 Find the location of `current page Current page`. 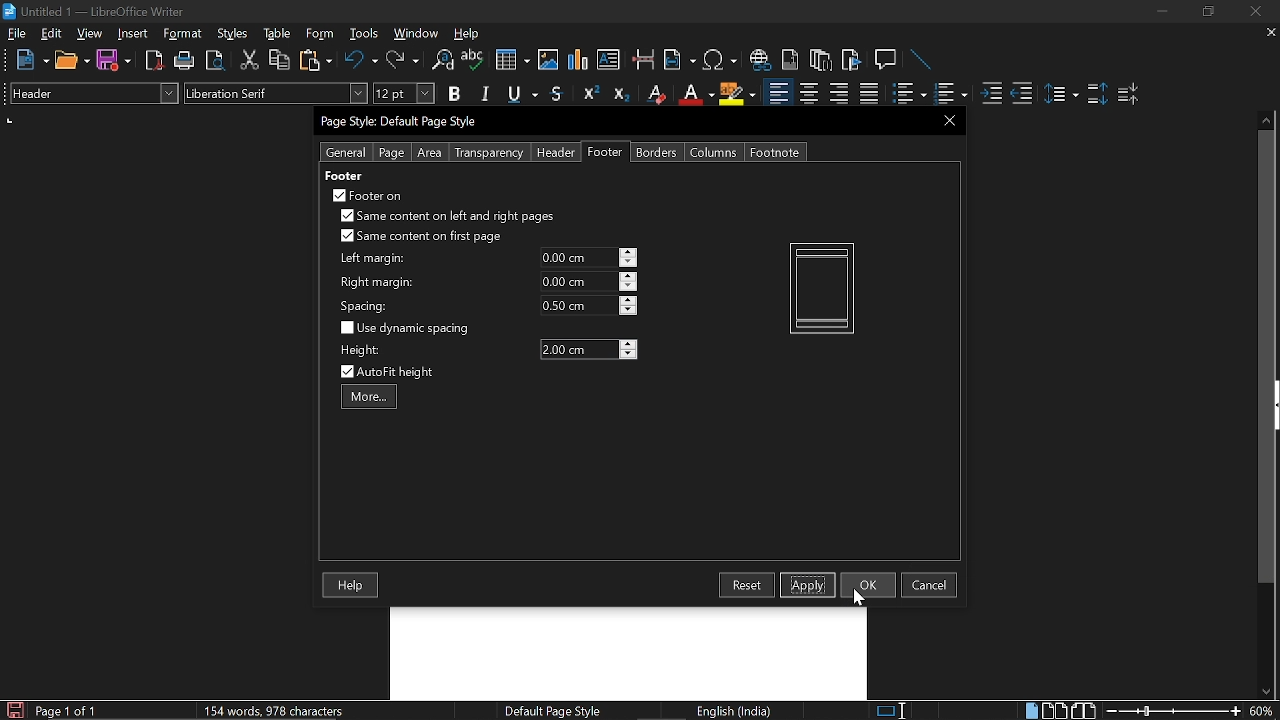

current page Current page is located at coordinates (65, 710).